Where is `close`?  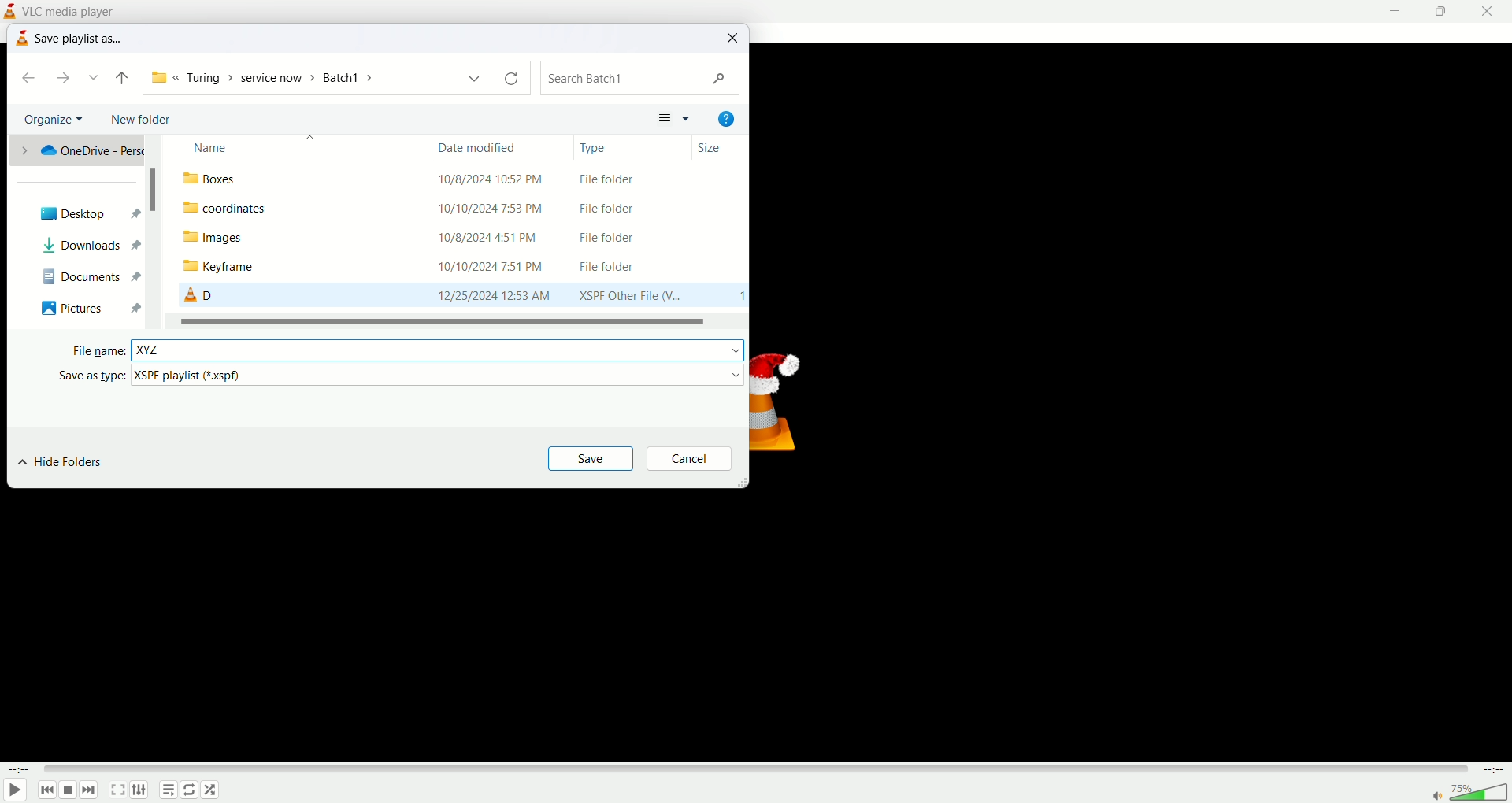
close is located at coordinates (1492, 10).